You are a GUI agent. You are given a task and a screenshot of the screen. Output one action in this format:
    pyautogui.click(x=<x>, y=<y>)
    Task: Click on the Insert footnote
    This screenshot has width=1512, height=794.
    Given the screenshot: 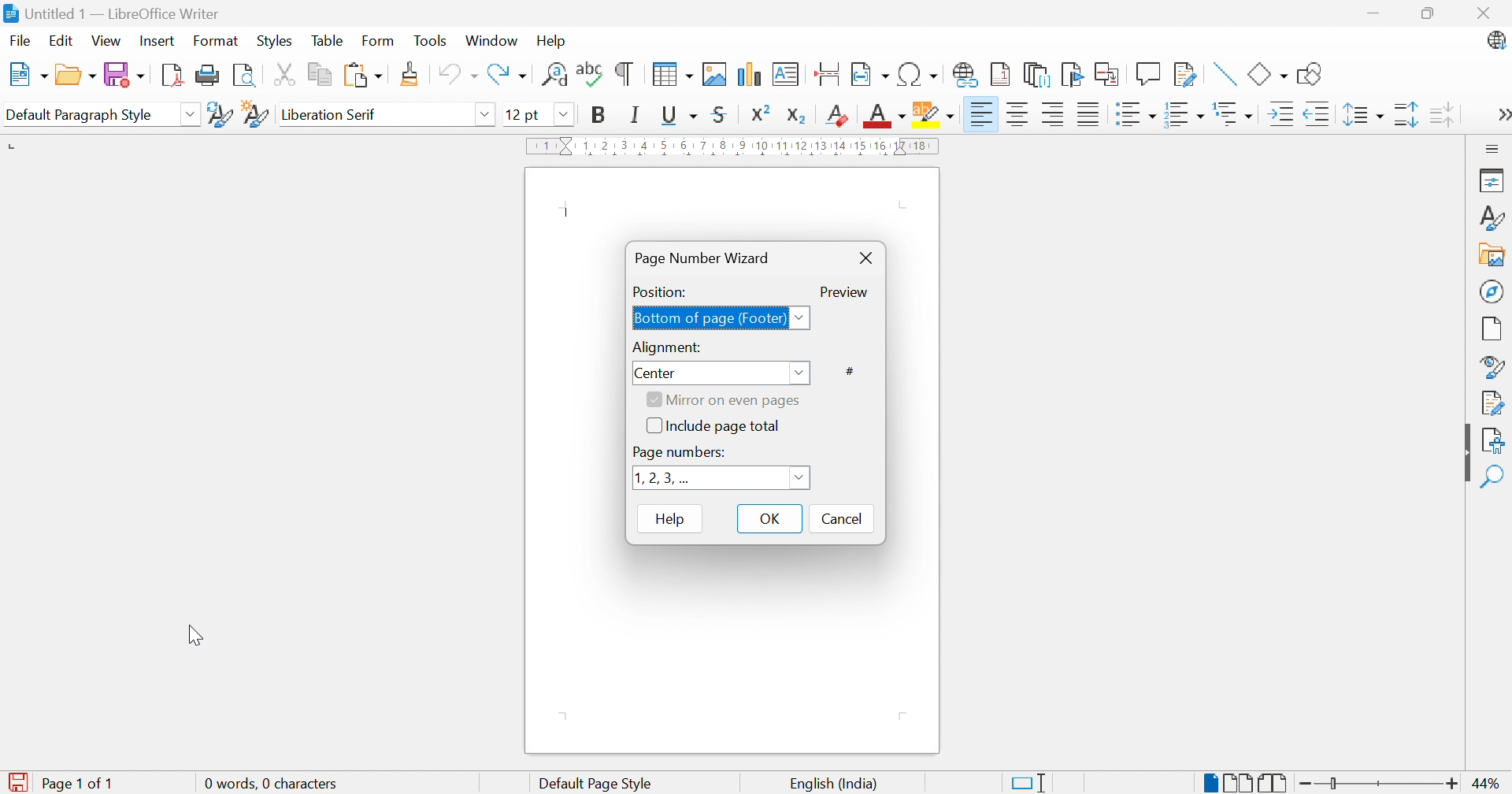 What is the action you would take?
    pyautogui.click(x=1002, y=74)
    